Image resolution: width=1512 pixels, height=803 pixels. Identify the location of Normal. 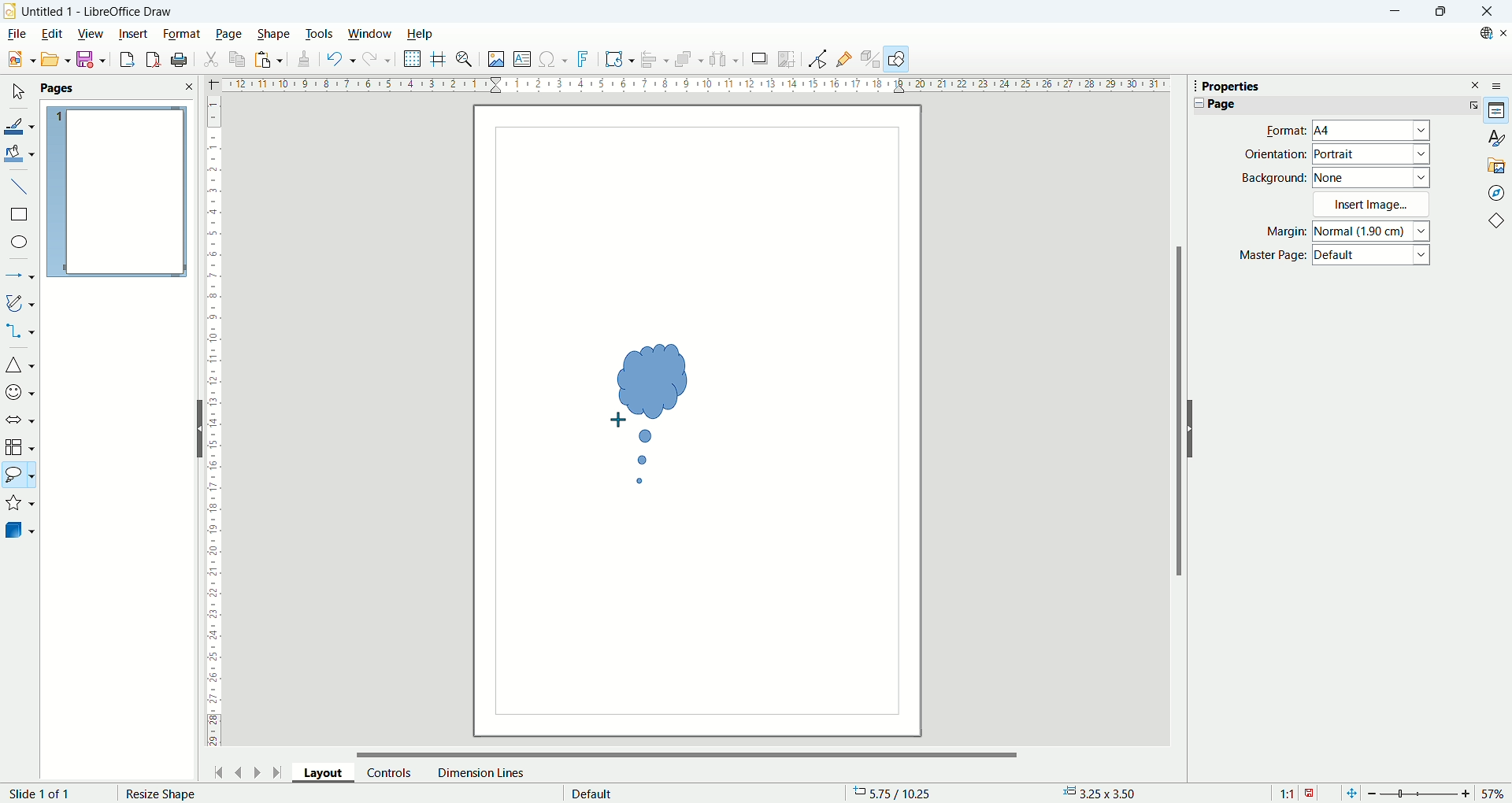
(1373, 231).